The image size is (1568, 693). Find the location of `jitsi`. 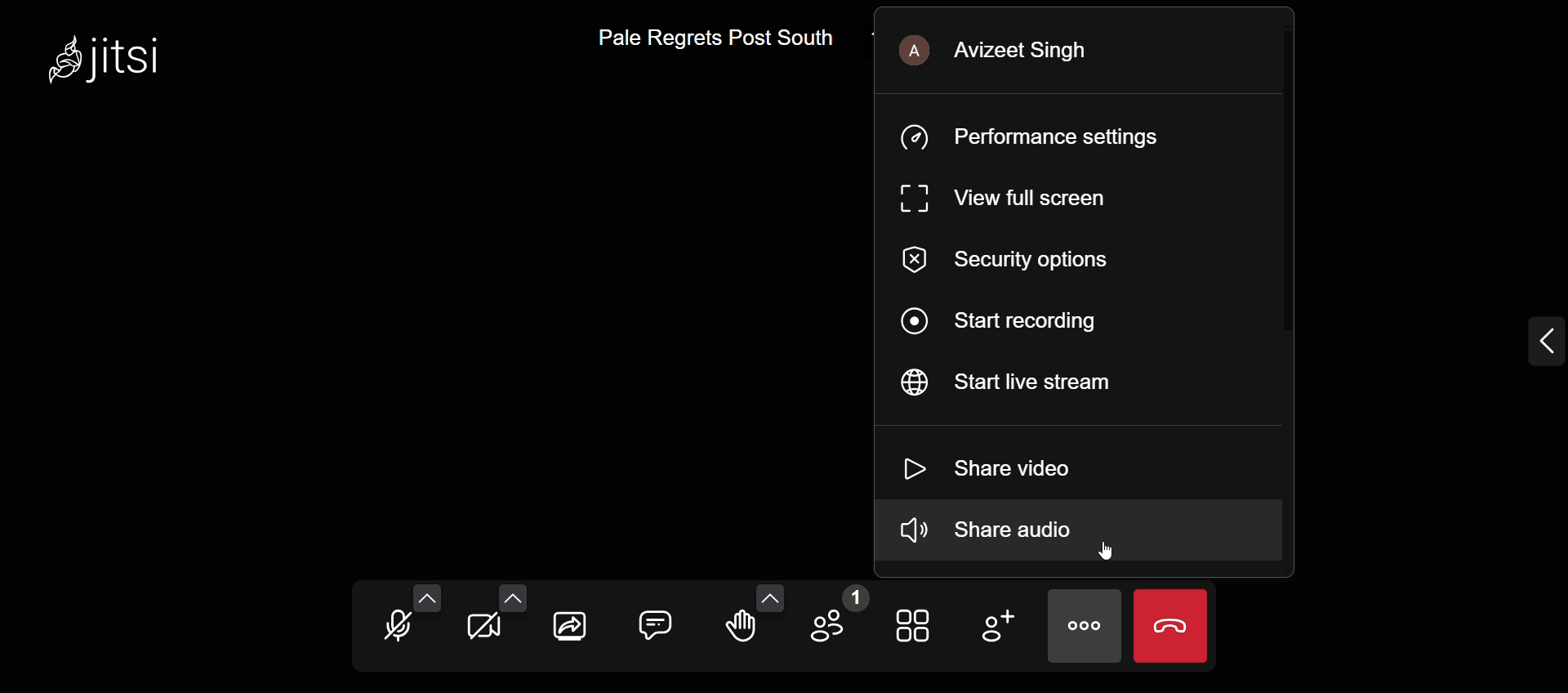

jitsi is located at coordinates (114, 64).